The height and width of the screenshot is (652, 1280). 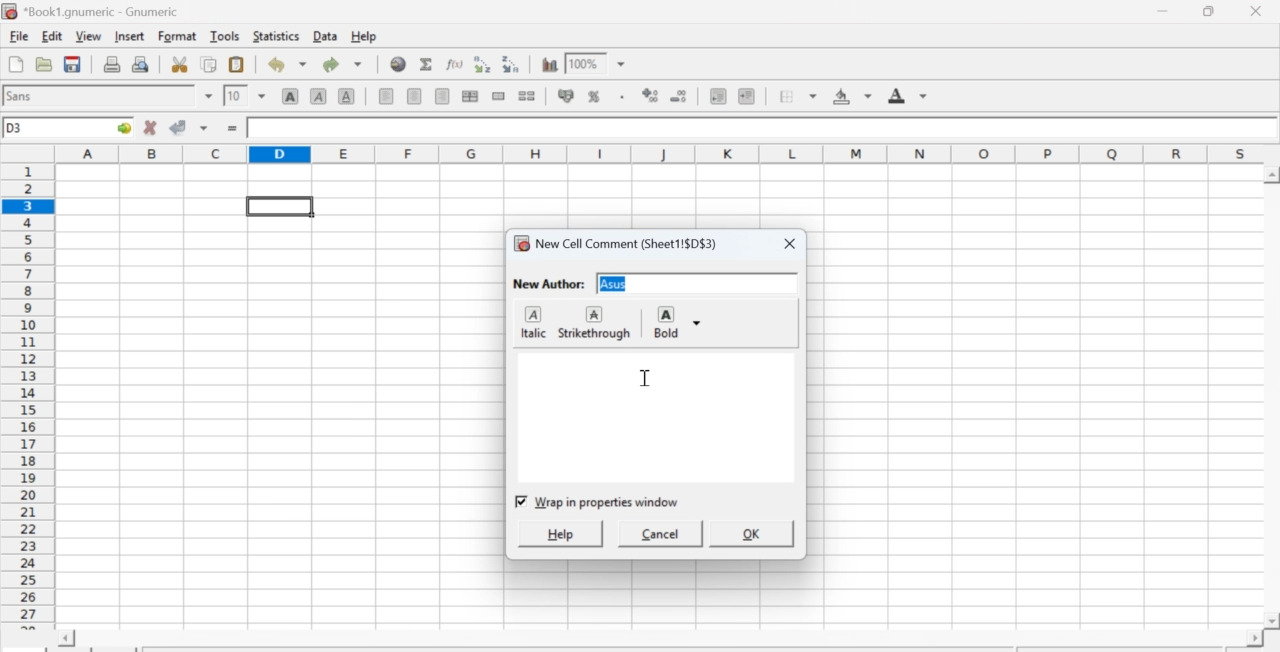 I want to click on Edit, so click(x=53, y=35).